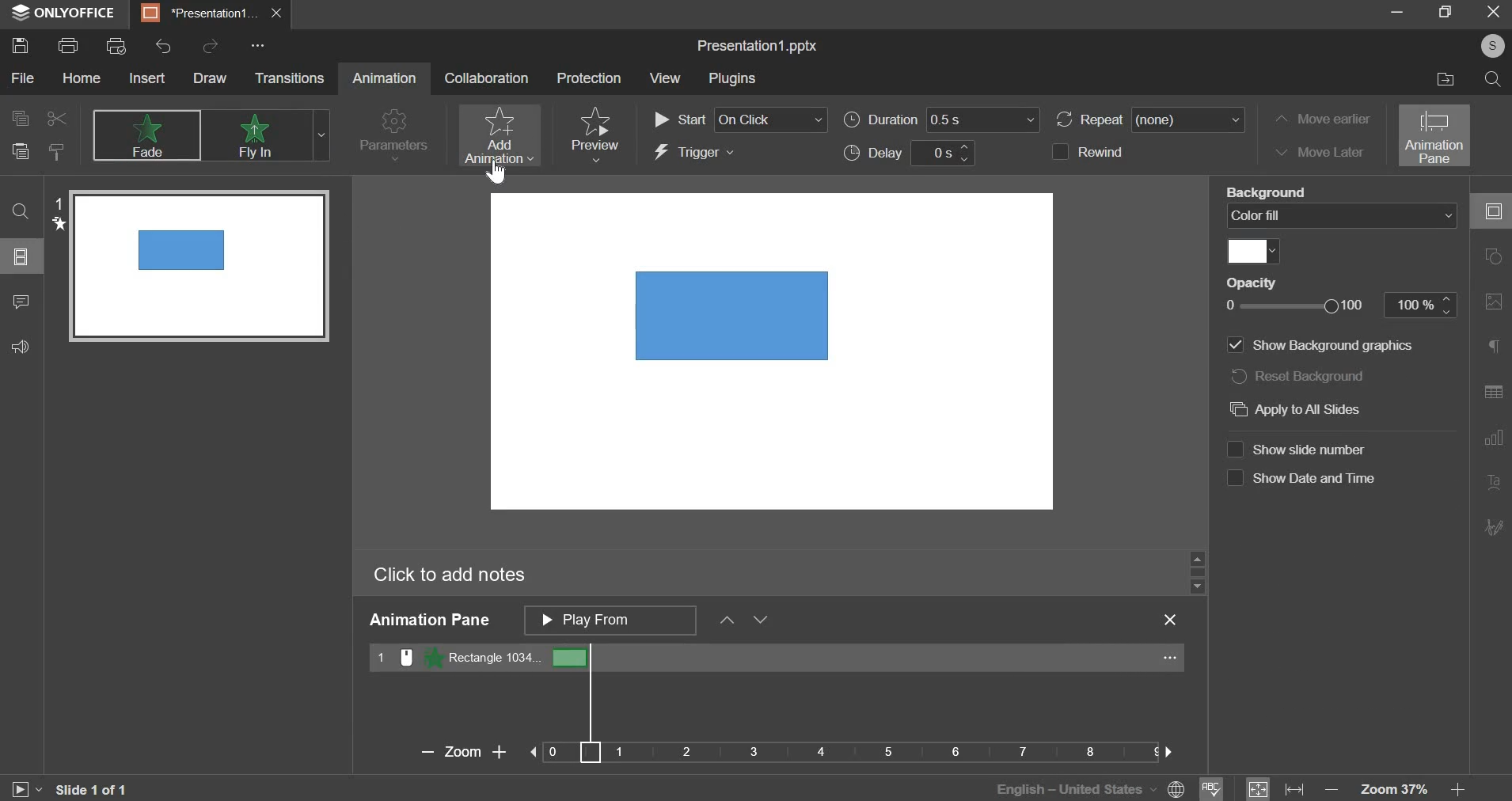  What do you see at coordinates (1290, 309) in the screenshot?
I see `opacity` at bounding box center [1290, 309].